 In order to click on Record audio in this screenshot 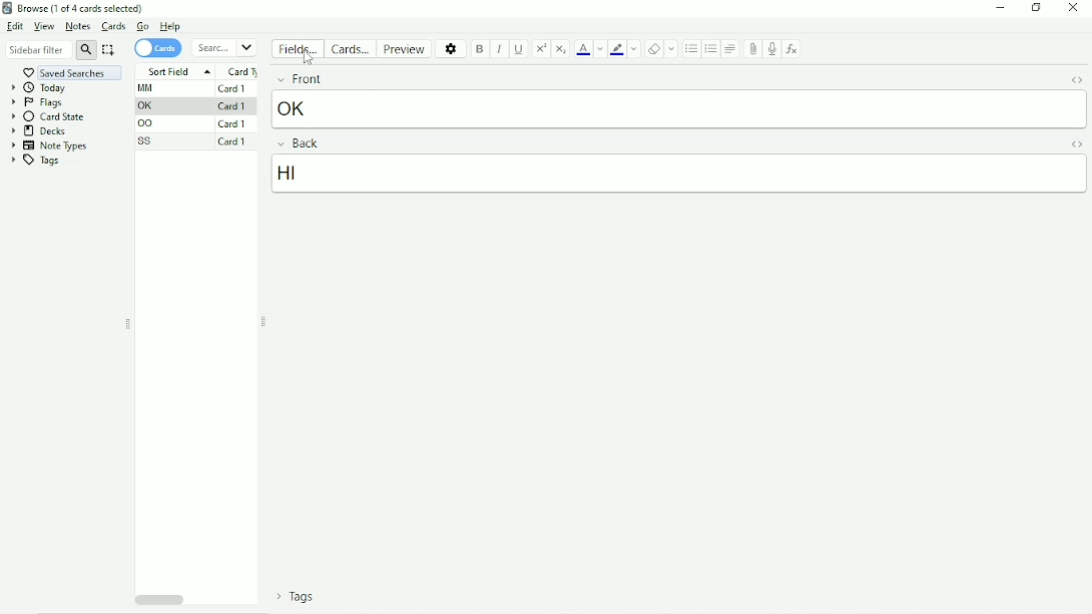, I will do `click(772, 49)`.